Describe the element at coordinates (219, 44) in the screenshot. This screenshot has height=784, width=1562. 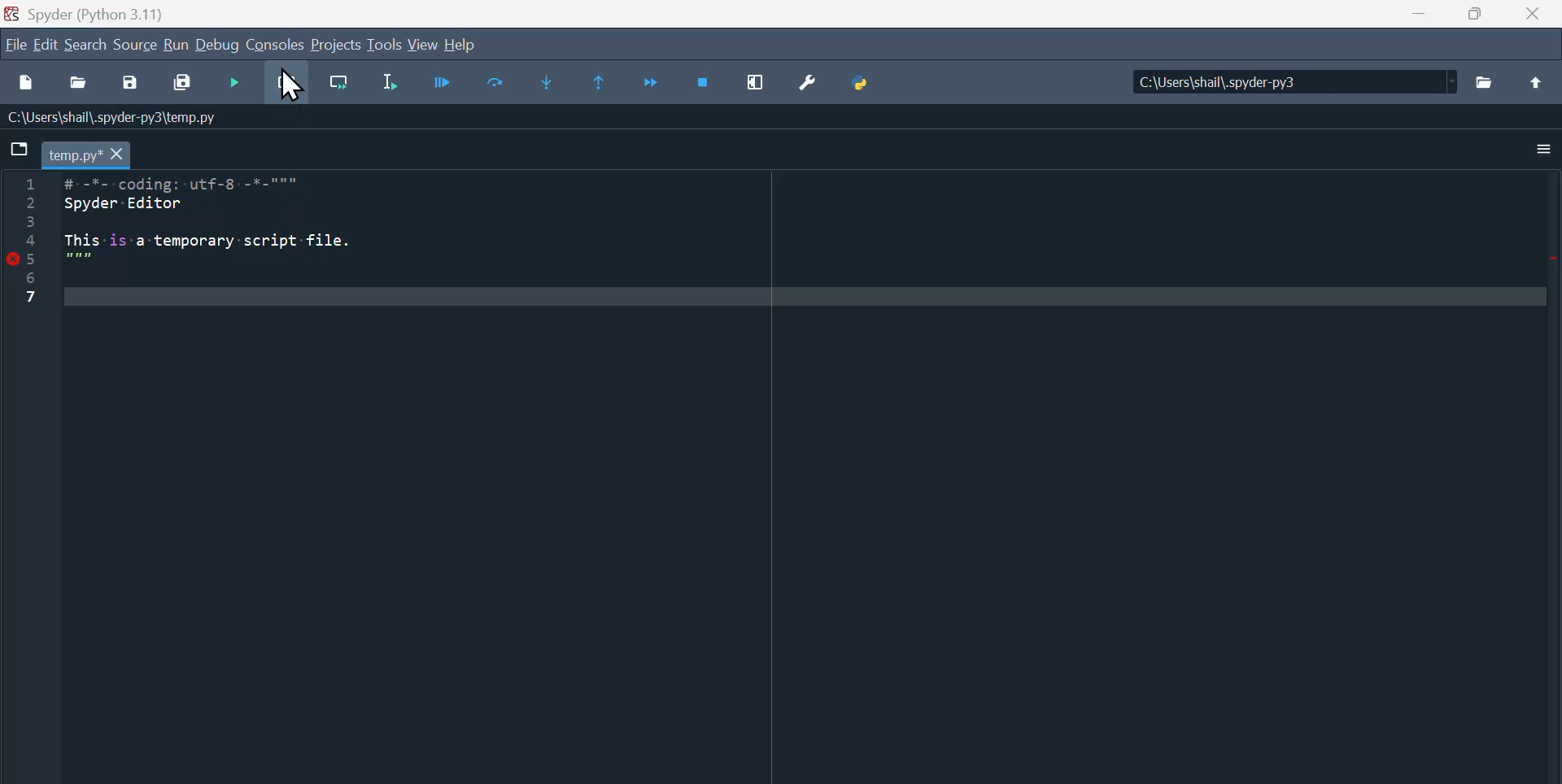
I see `Debug` at that location.